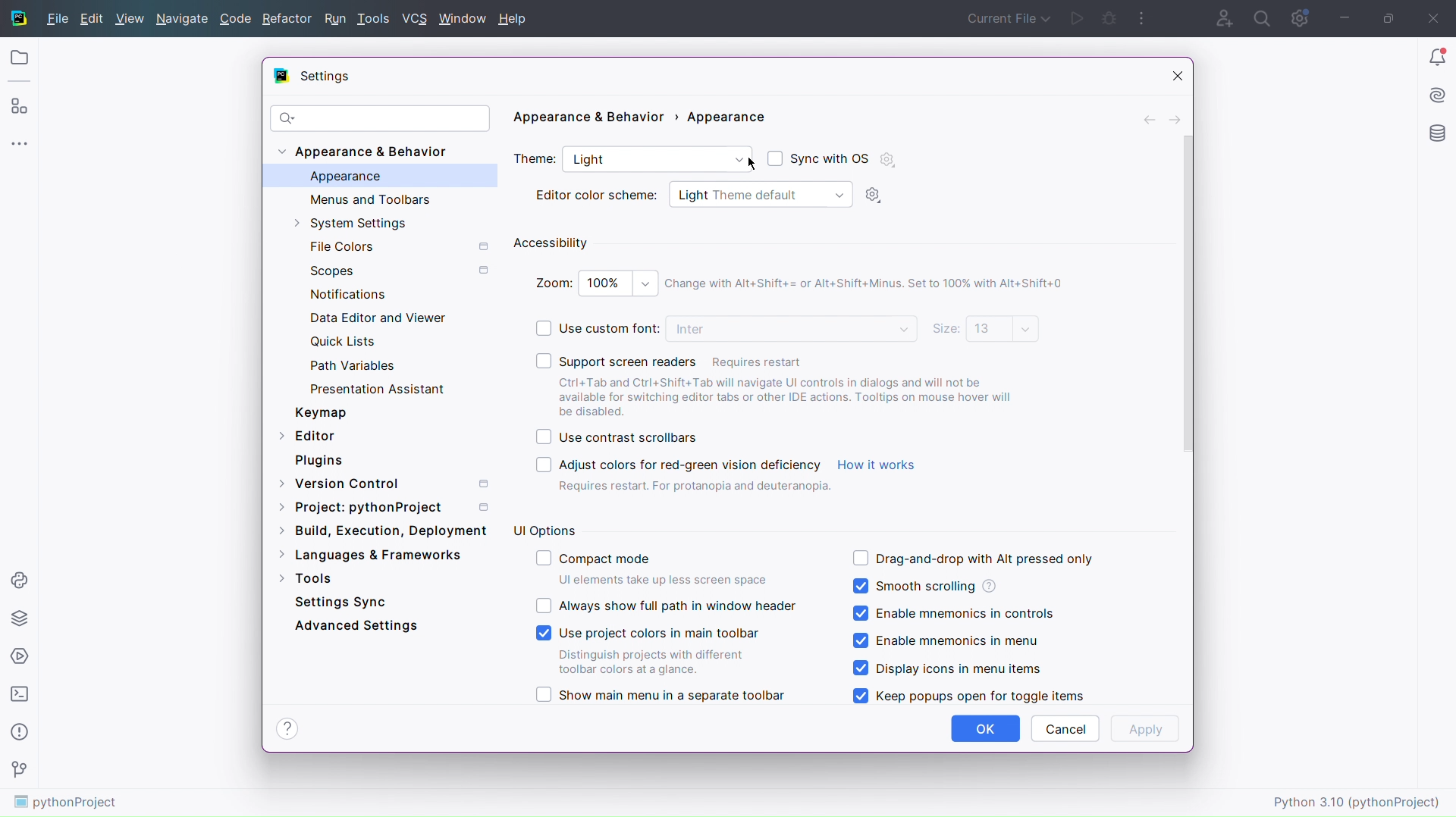 The width and height of the screenshot is (1456, 817). What do you see at coordinates (340, 602) in the screenshot?
I see `Settings Sync` at bounding box center [340, 602].